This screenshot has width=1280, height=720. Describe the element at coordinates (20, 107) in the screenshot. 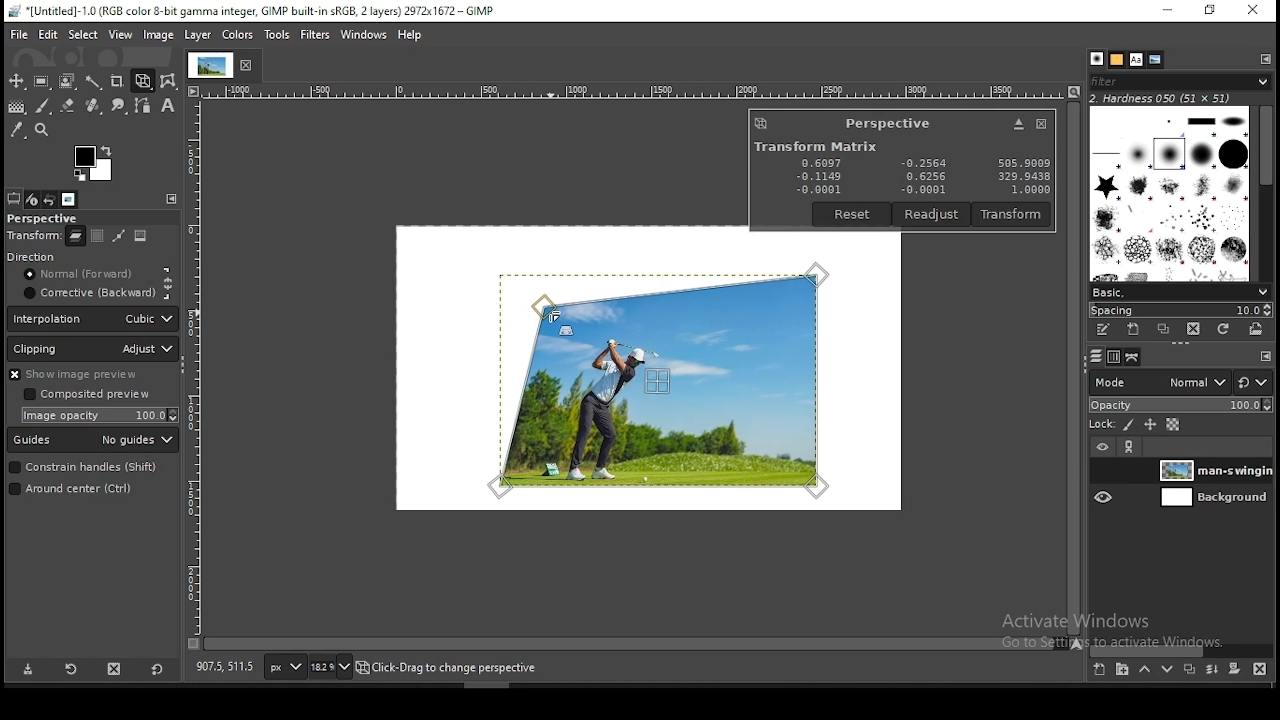

I see `gradient tool` at that location.